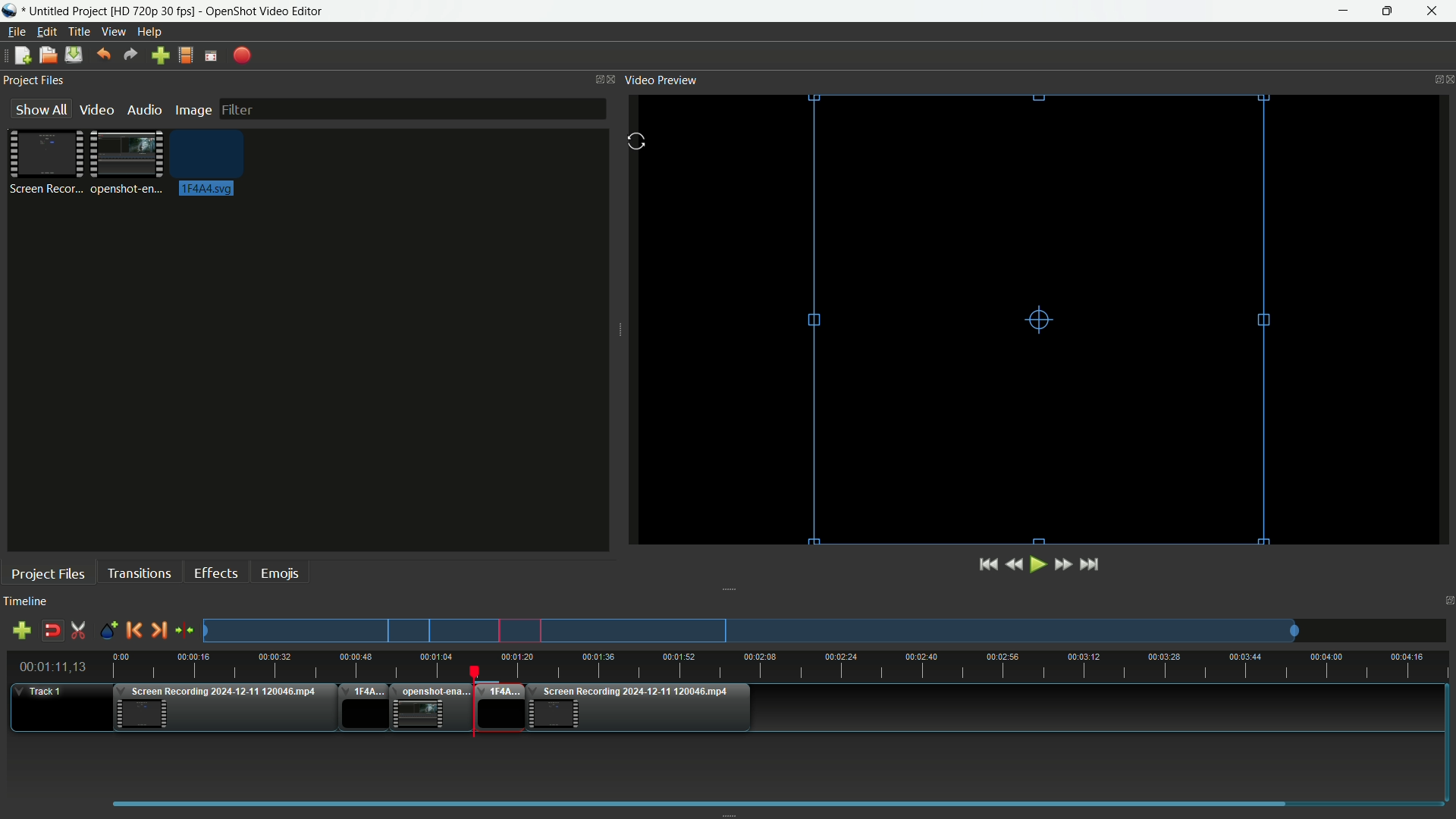  I want to click on Close timeline, so click(1447, 603).